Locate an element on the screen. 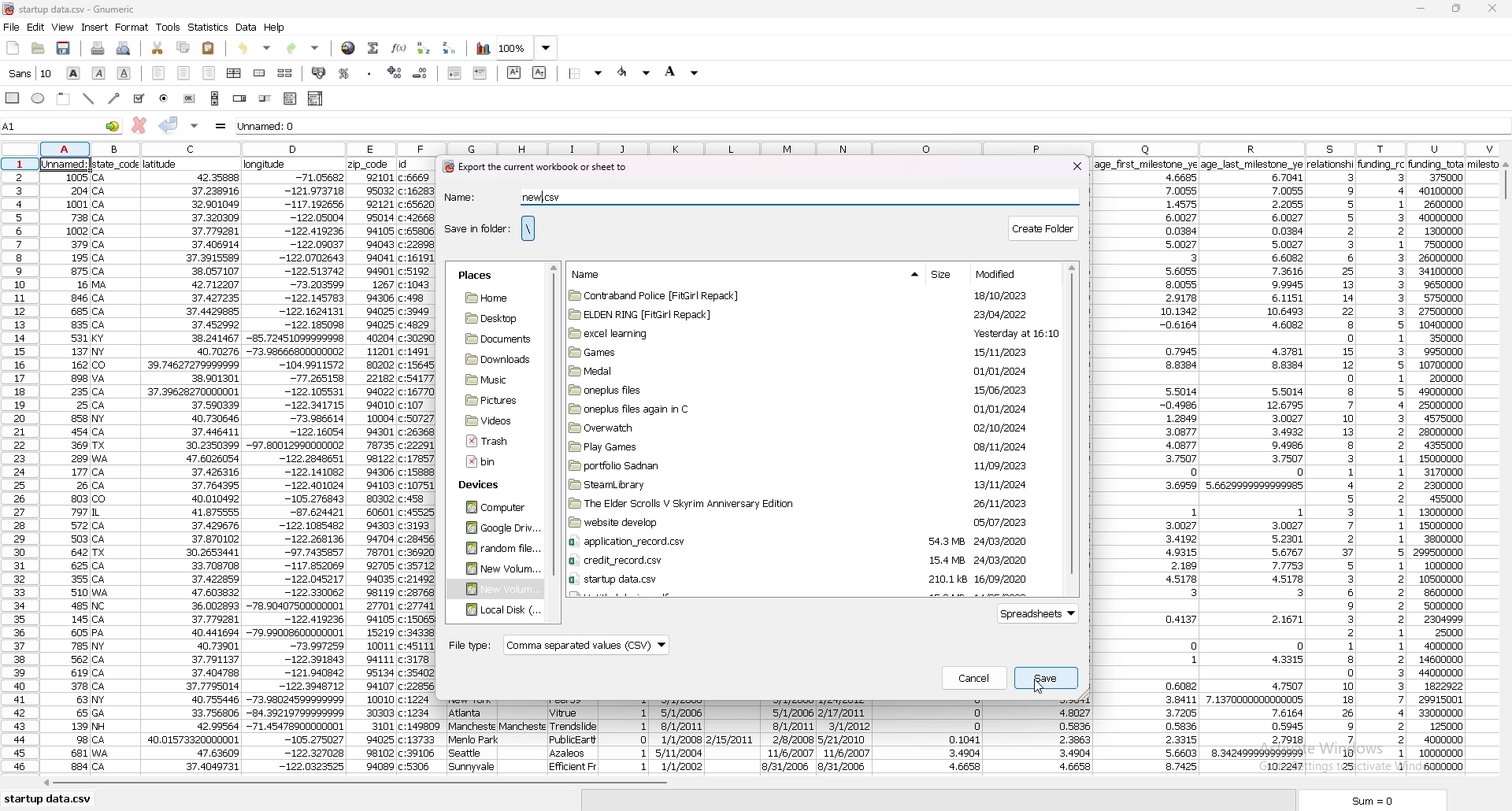 This screenshot has width=1512, height=811. daat is located at coordinates (1254, 465).